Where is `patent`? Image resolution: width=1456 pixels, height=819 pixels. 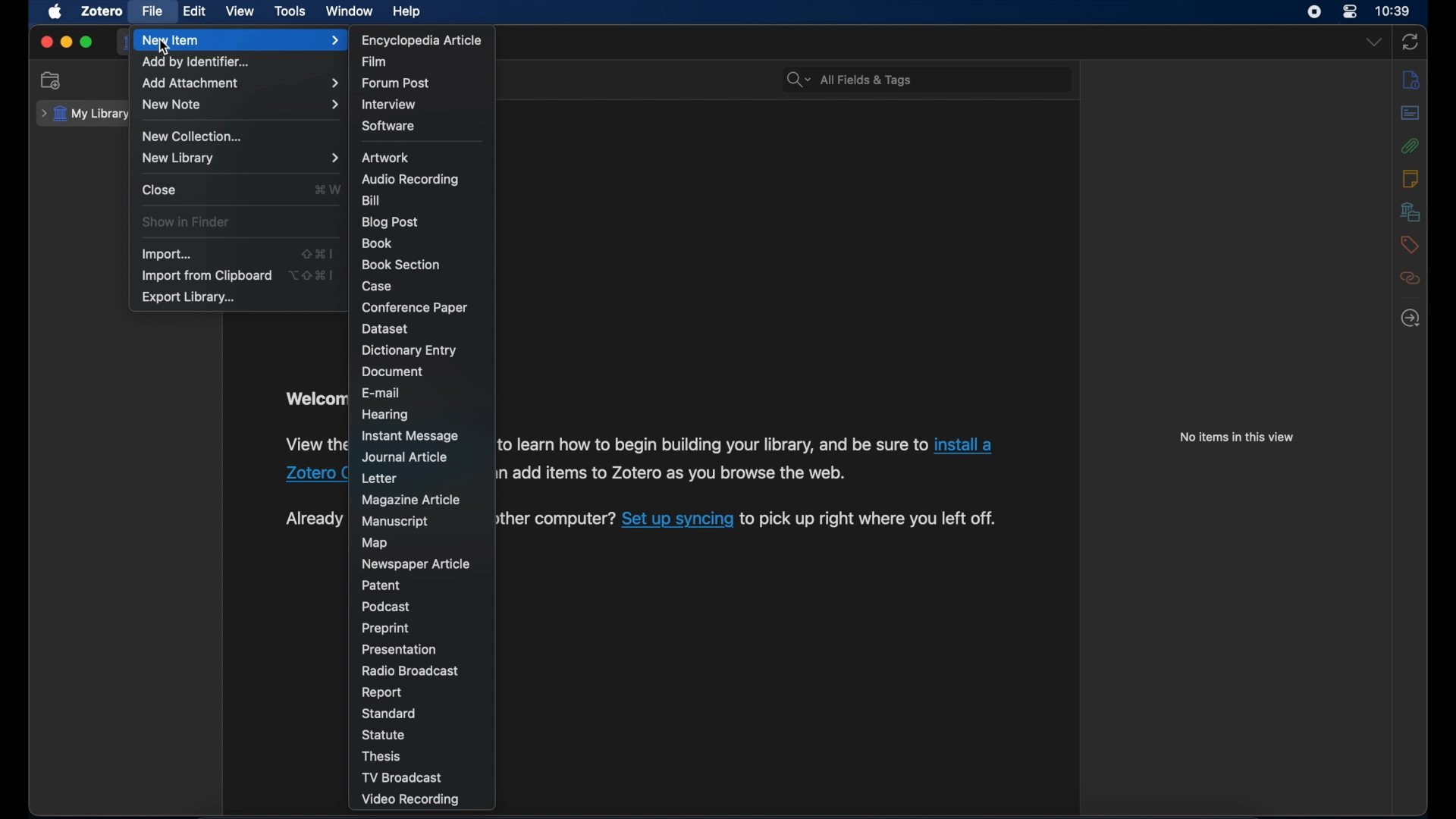 patent is located at coordinates (382, 585).